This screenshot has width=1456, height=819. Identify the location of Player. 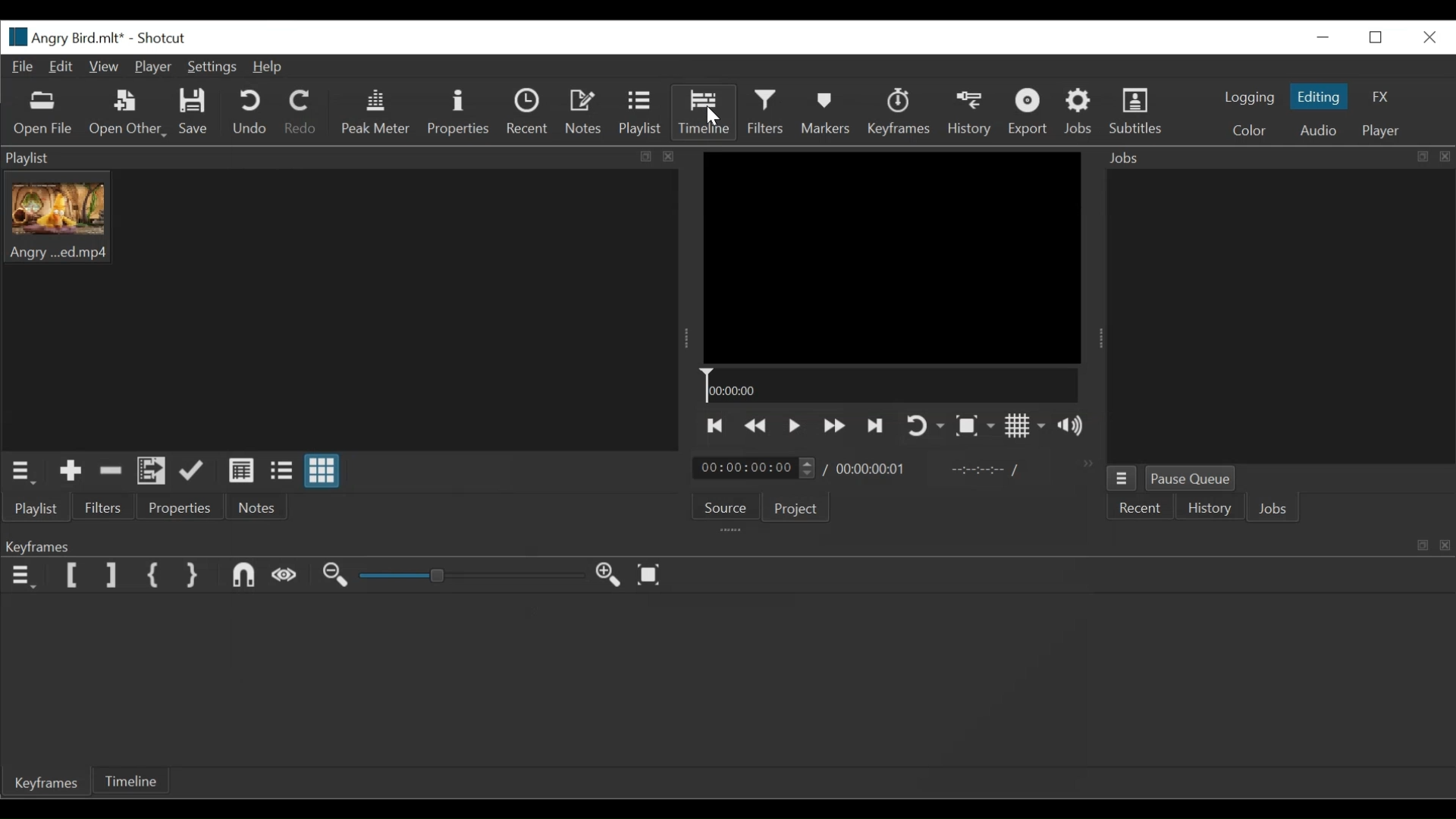
(153, 67).